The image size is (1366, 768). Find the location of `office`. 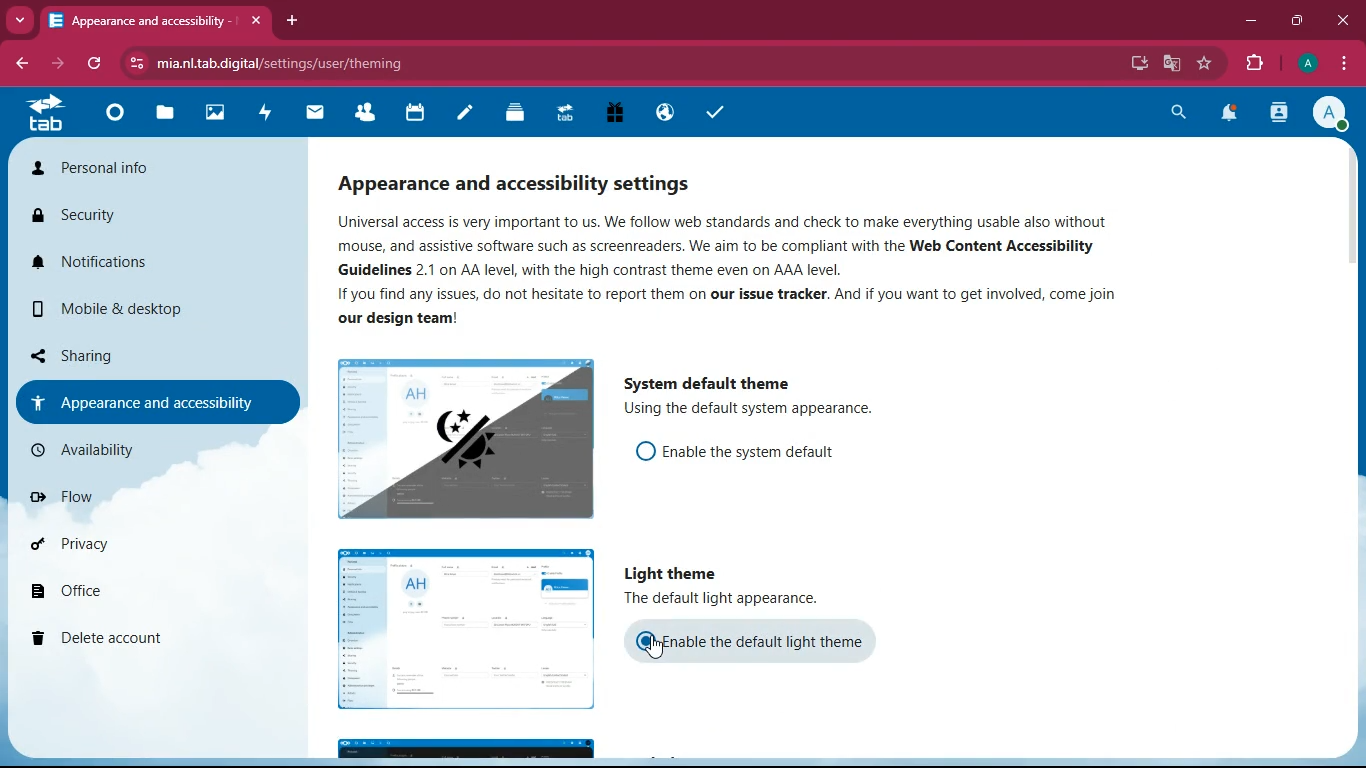

office is located at coordinates (145, 591).